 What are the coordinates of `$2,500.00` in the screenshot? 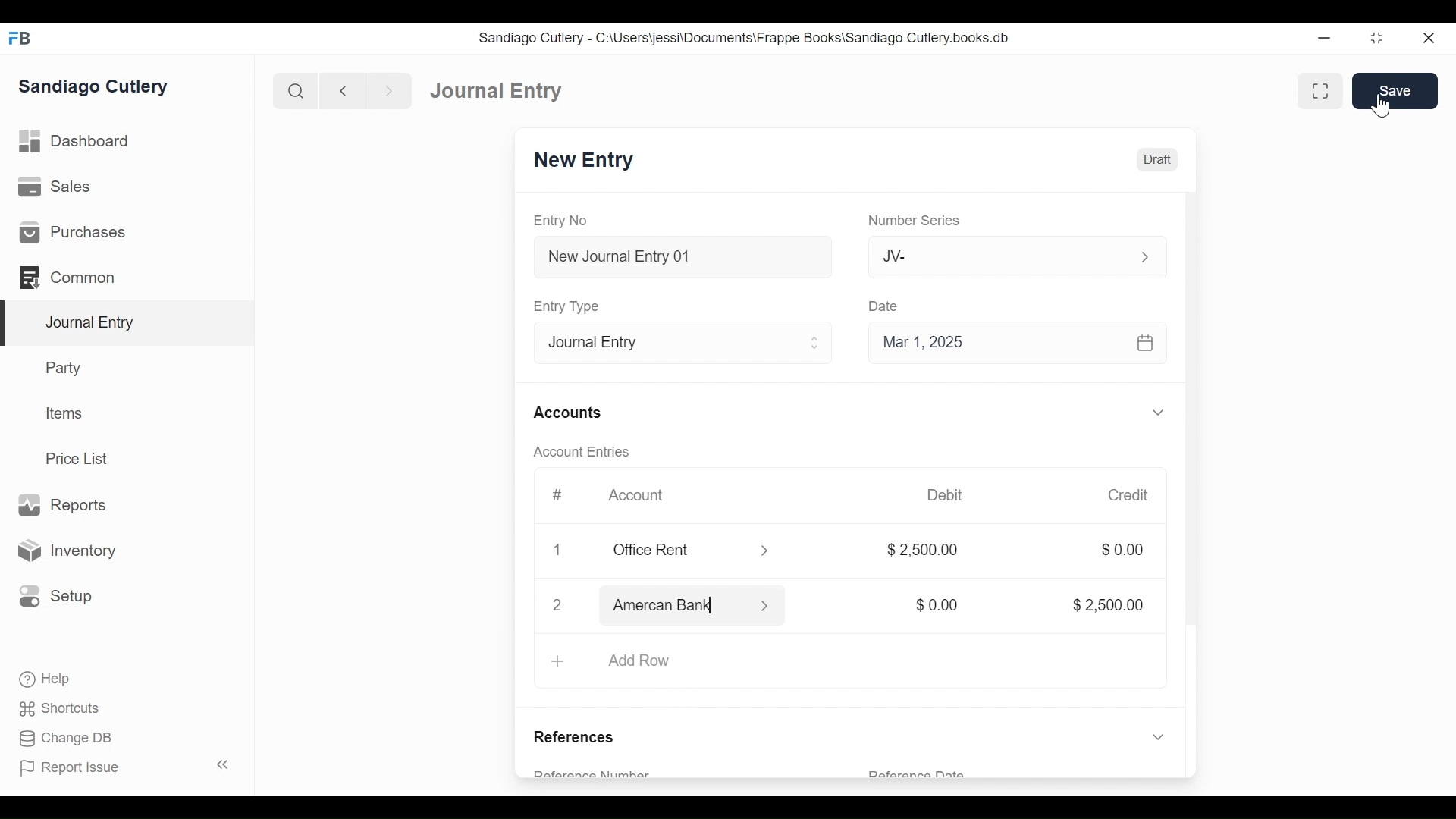 It's located at (1099, 604).